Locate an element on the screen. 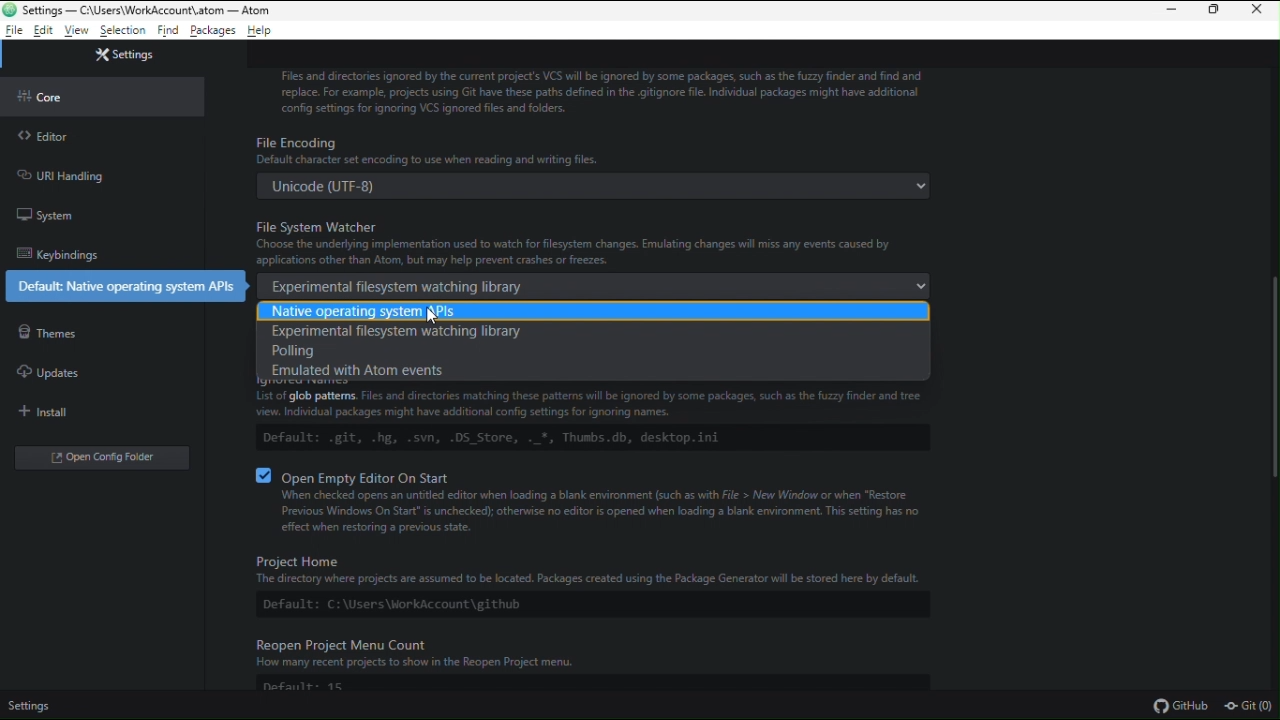 The width and height of the screenshot is (1280, 720). Systems is located at coordinates (46, 217).